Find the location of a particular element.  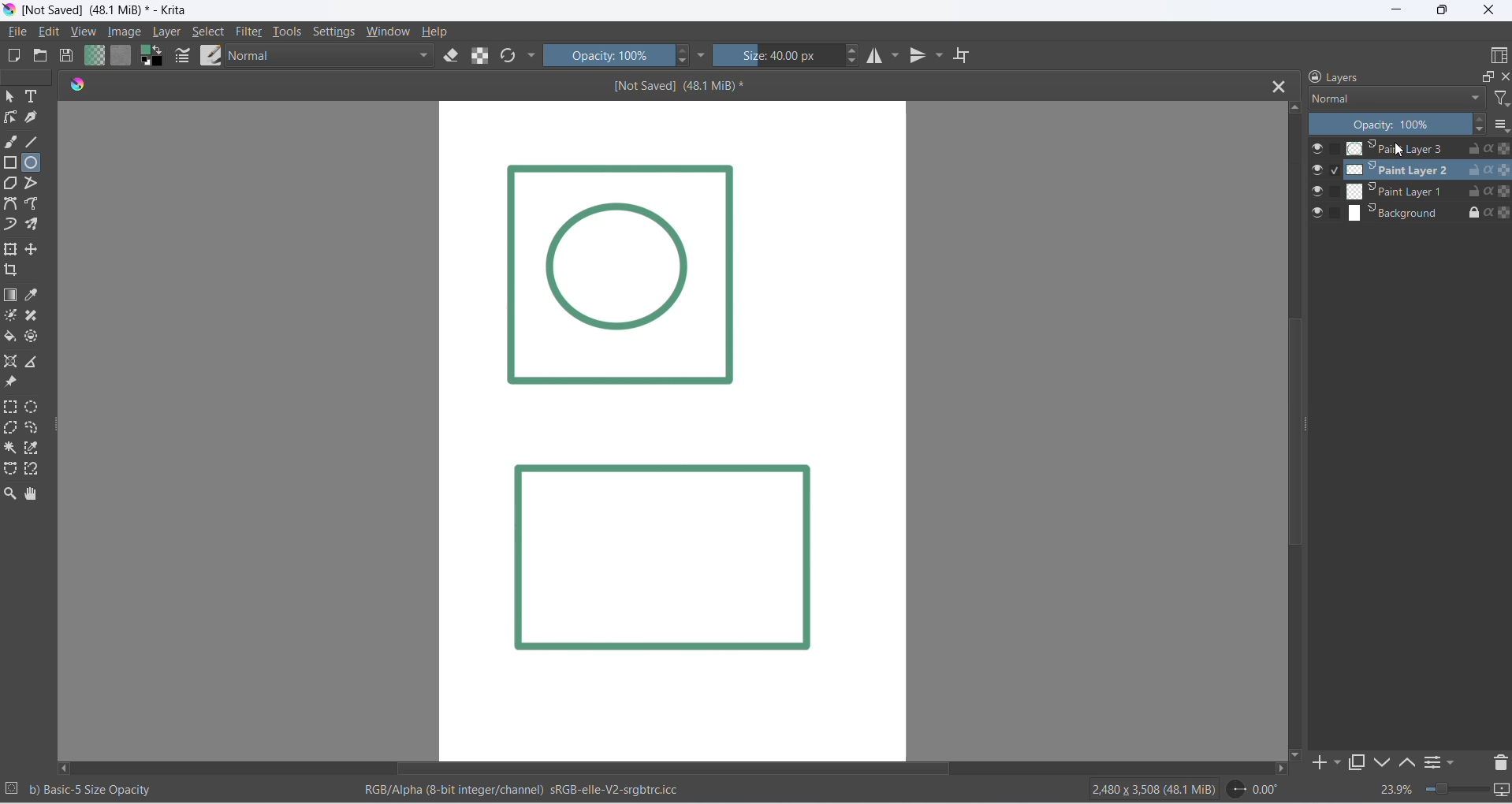

size is located at coordinates (779, 54).